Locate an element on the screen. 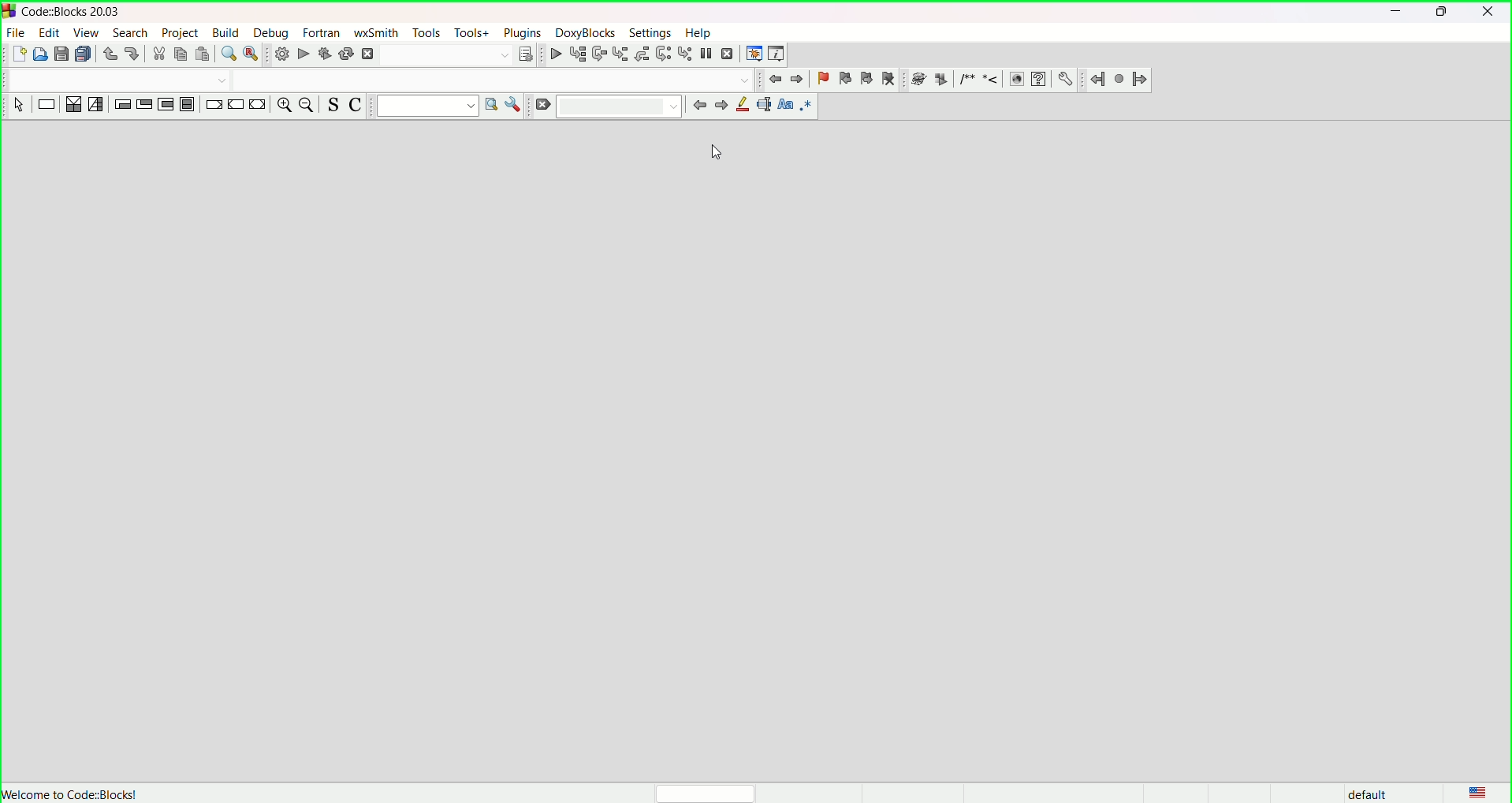  Run doxywizard is located at coordinates (918, 79).